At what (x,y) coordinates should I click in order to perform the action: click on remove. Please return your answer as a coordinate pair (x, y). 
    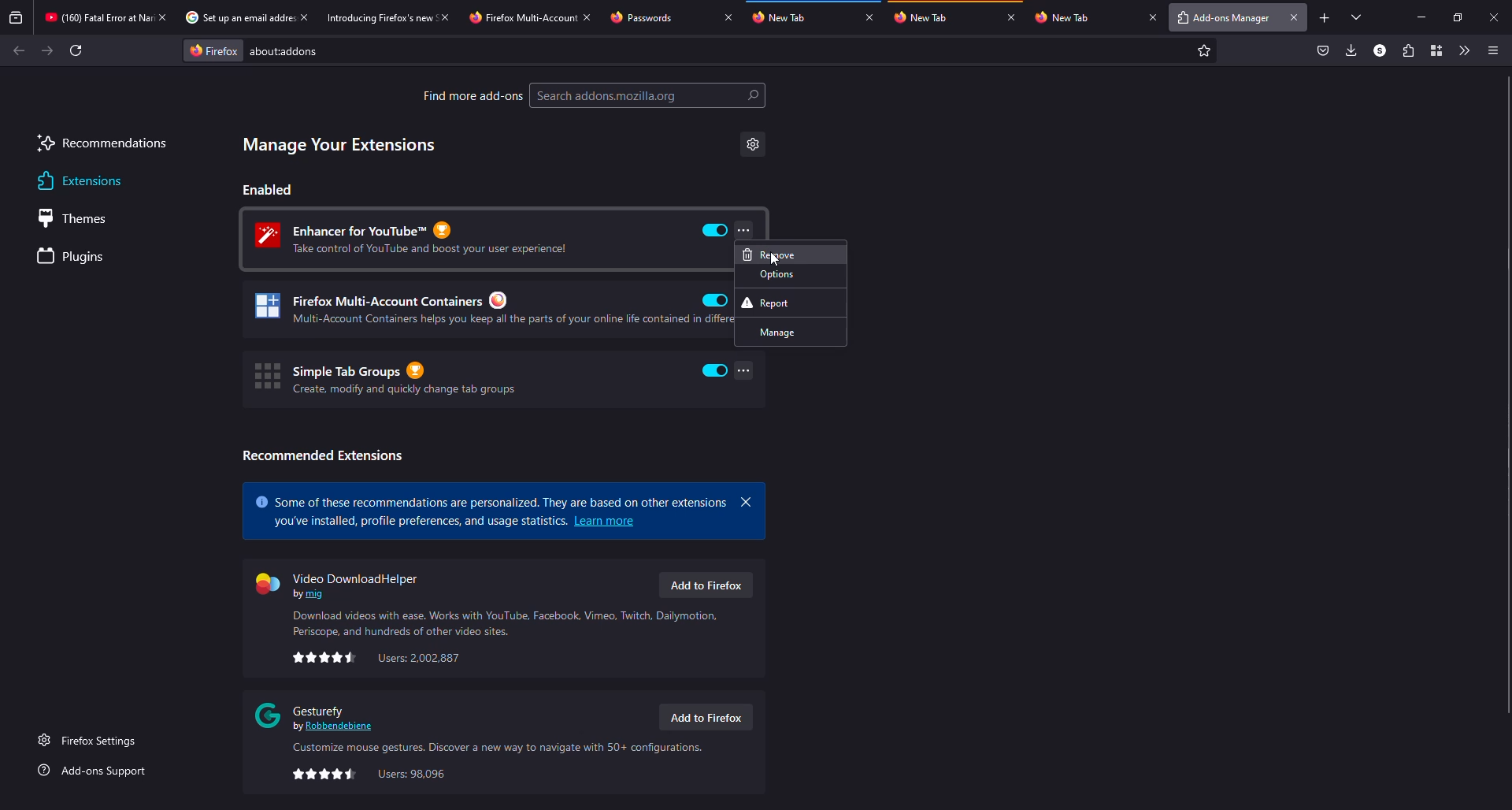
    Looking at the image, I should click on (791, 255).